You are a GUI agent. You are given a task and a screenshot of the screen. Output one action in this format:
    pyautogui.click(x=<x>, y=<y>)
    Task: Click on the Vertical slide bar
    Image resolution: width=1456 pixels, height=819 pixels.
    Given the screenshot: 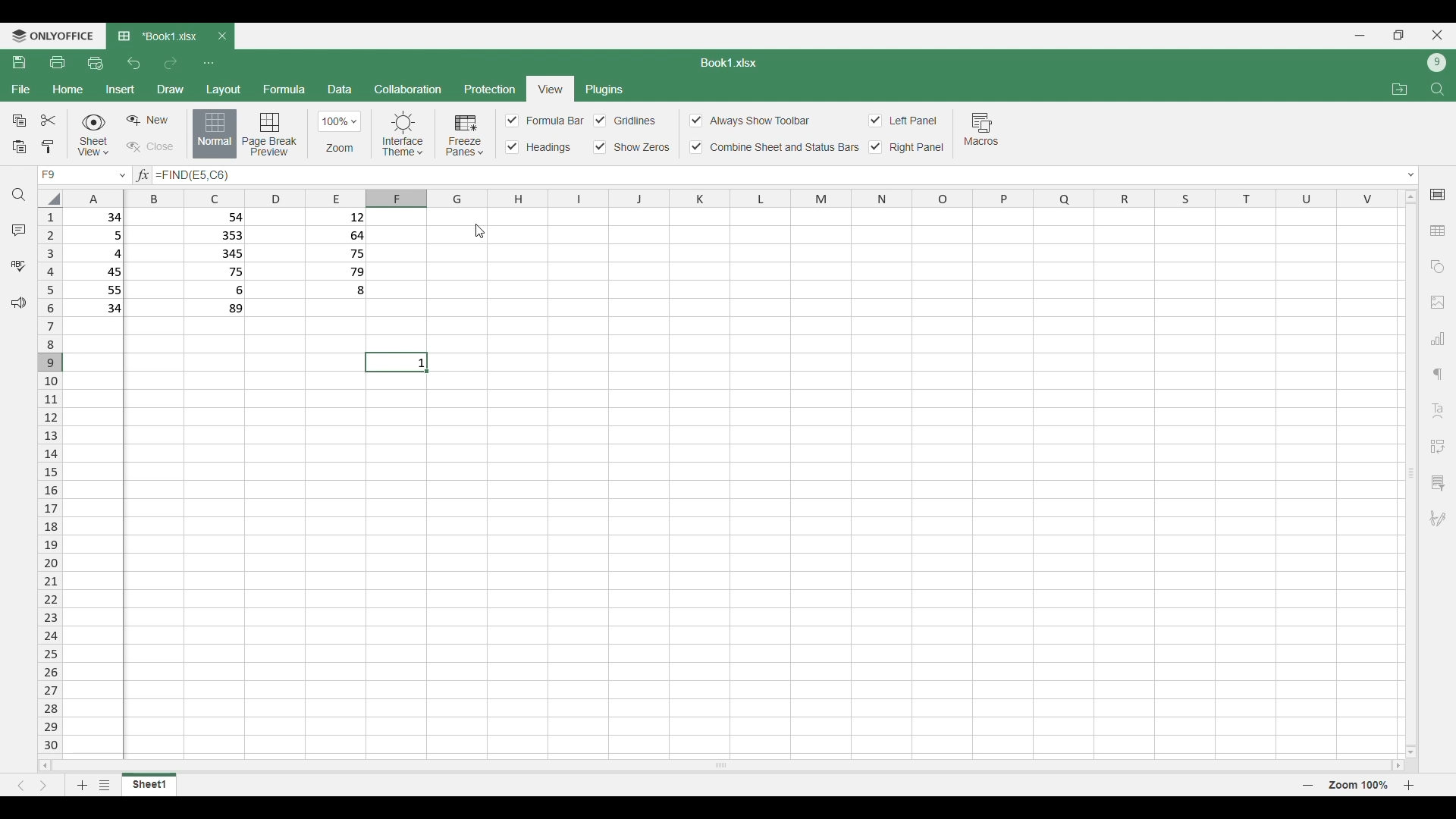 What is the action you would take?
    pyautogui.click(x=1410, y=469)
    